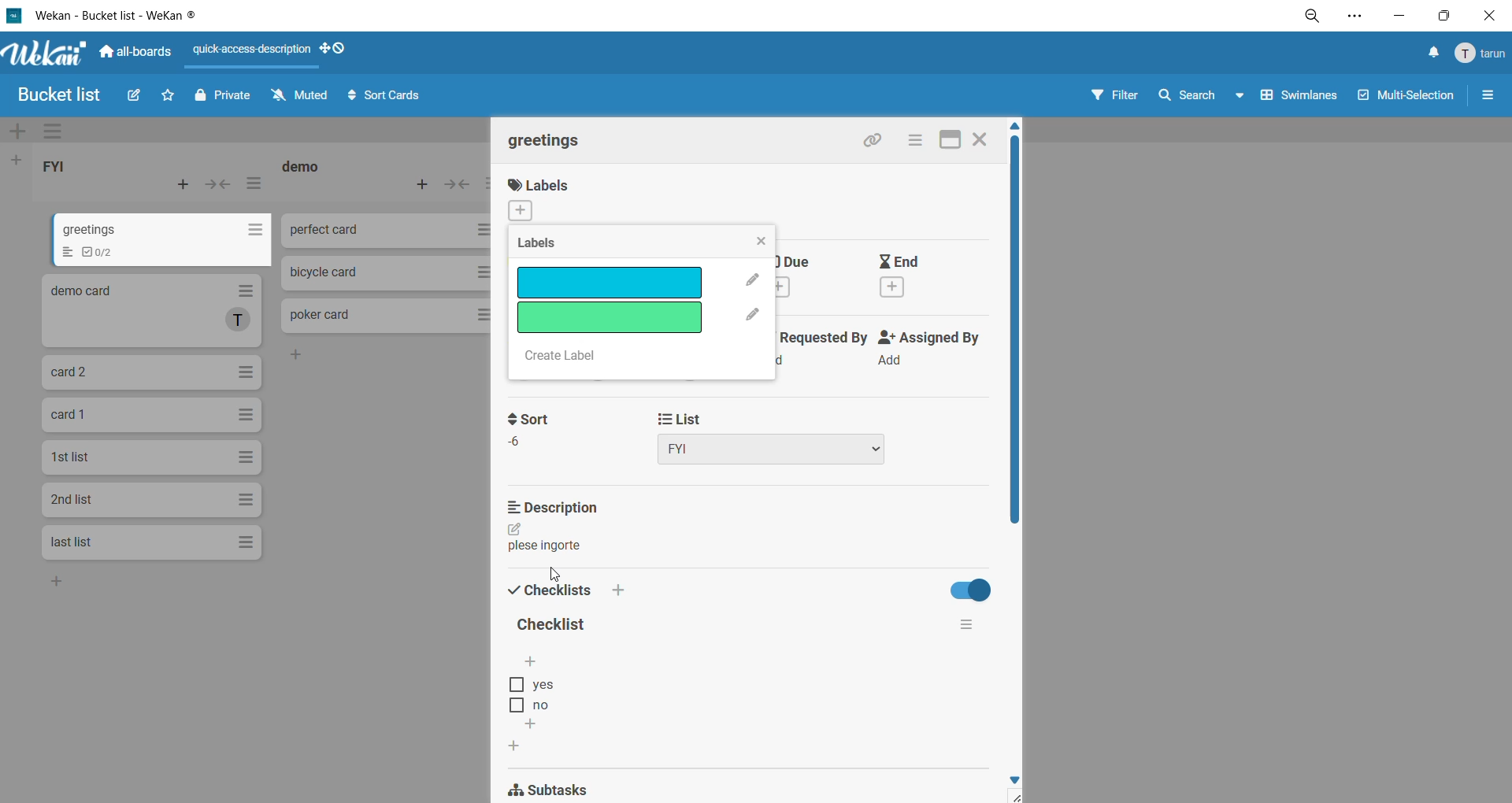 The height and width of the screenshot is (803, 1512). I want to click on list actions, so click(254, 184).